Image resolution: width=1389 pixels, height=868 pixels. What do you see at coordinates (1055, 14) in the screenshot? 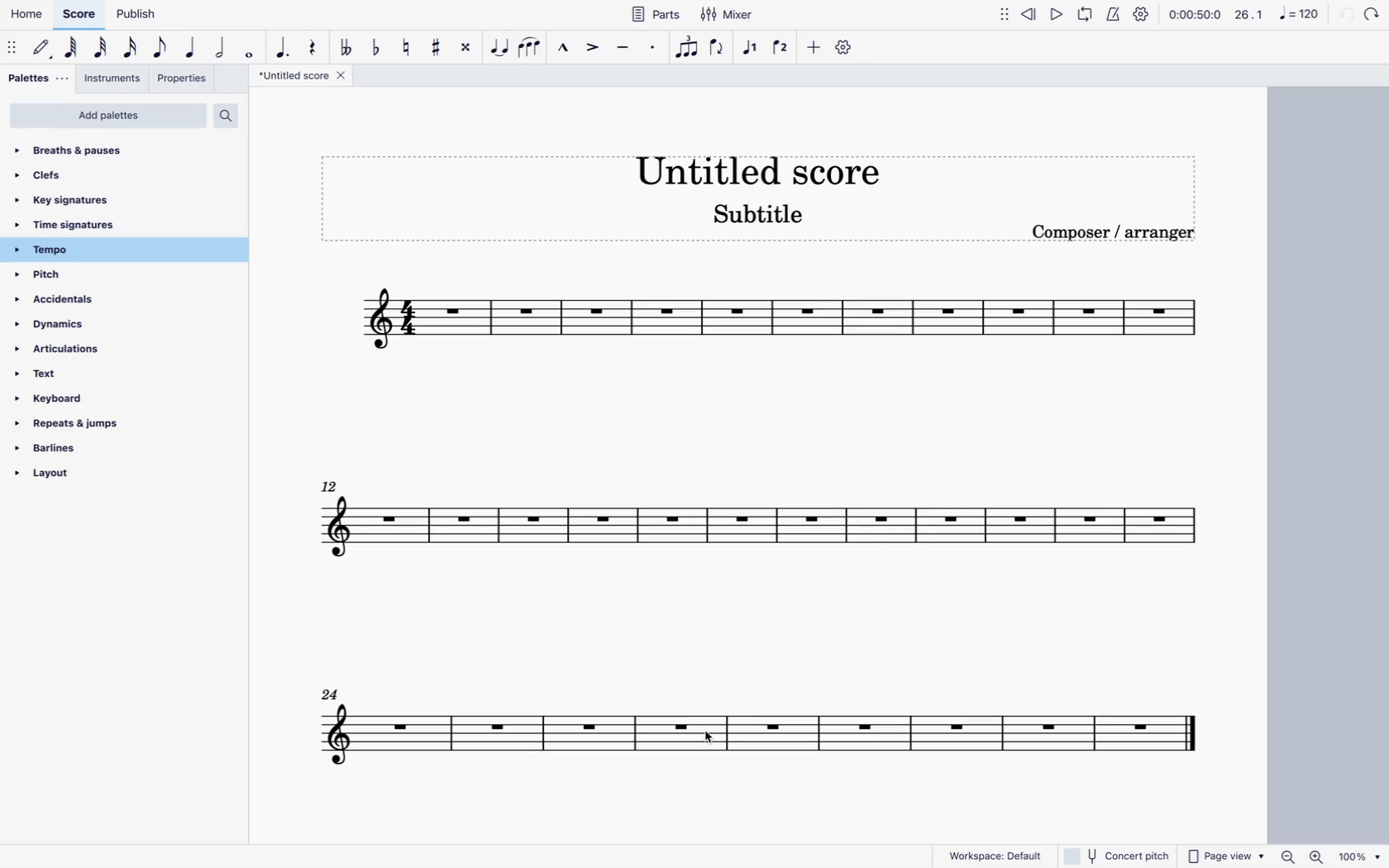
I see `play` at bounding box center [1055, 14].